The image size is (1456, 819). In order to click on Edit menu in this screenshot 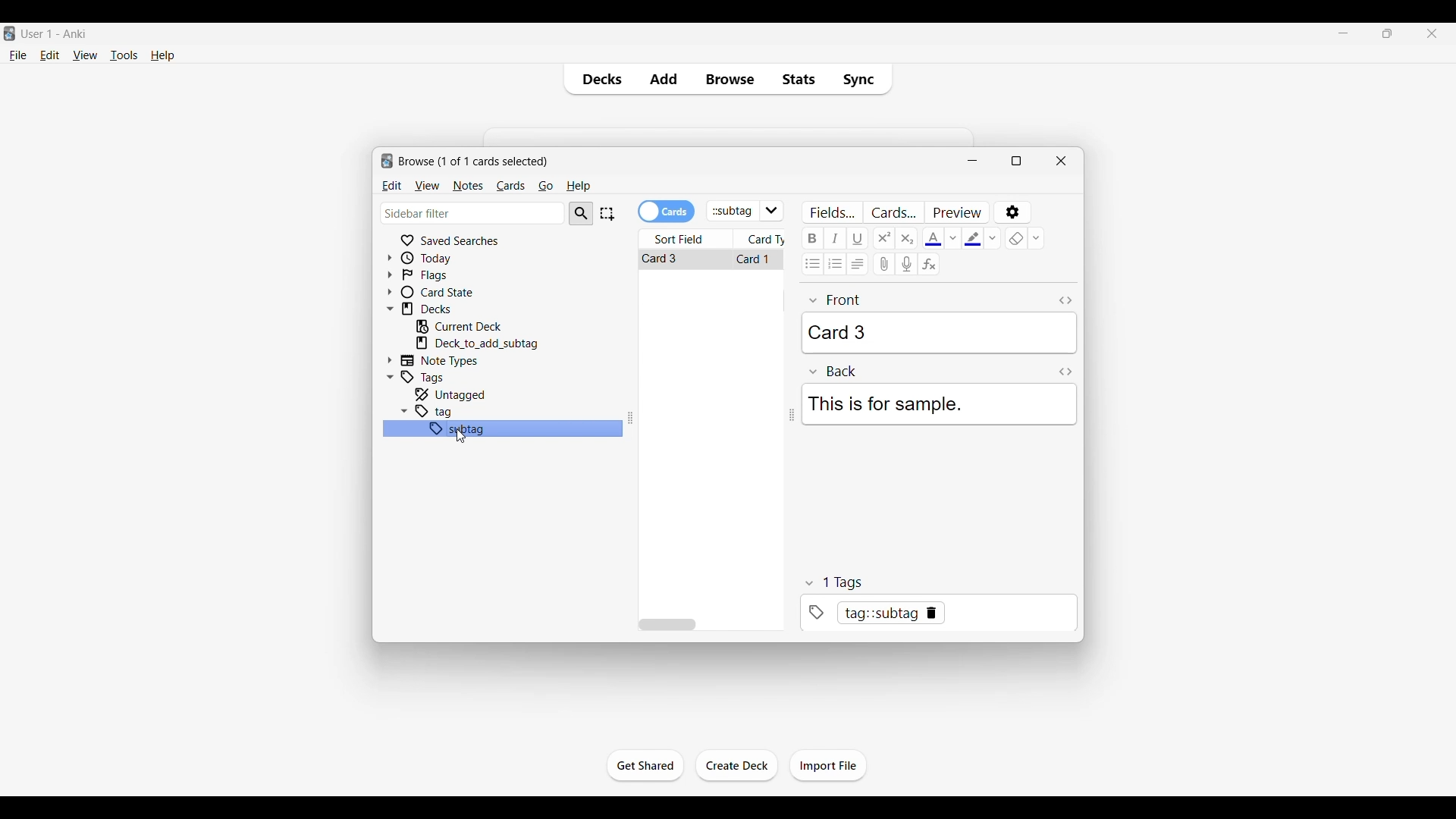, I will do `click(392, 187)`.